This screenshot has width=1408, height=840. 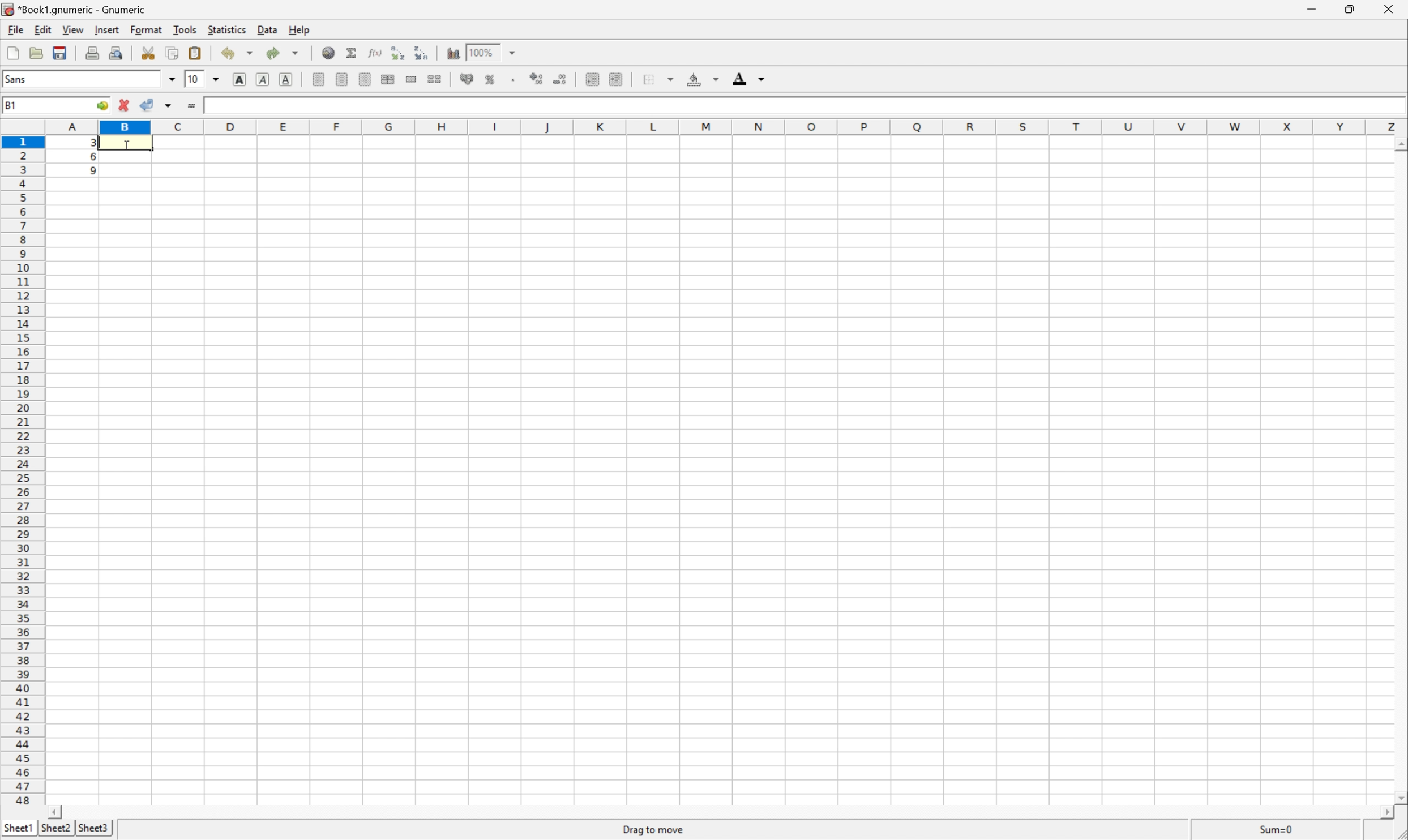 I want to click on Sheet3, so click(x=93, y=828).